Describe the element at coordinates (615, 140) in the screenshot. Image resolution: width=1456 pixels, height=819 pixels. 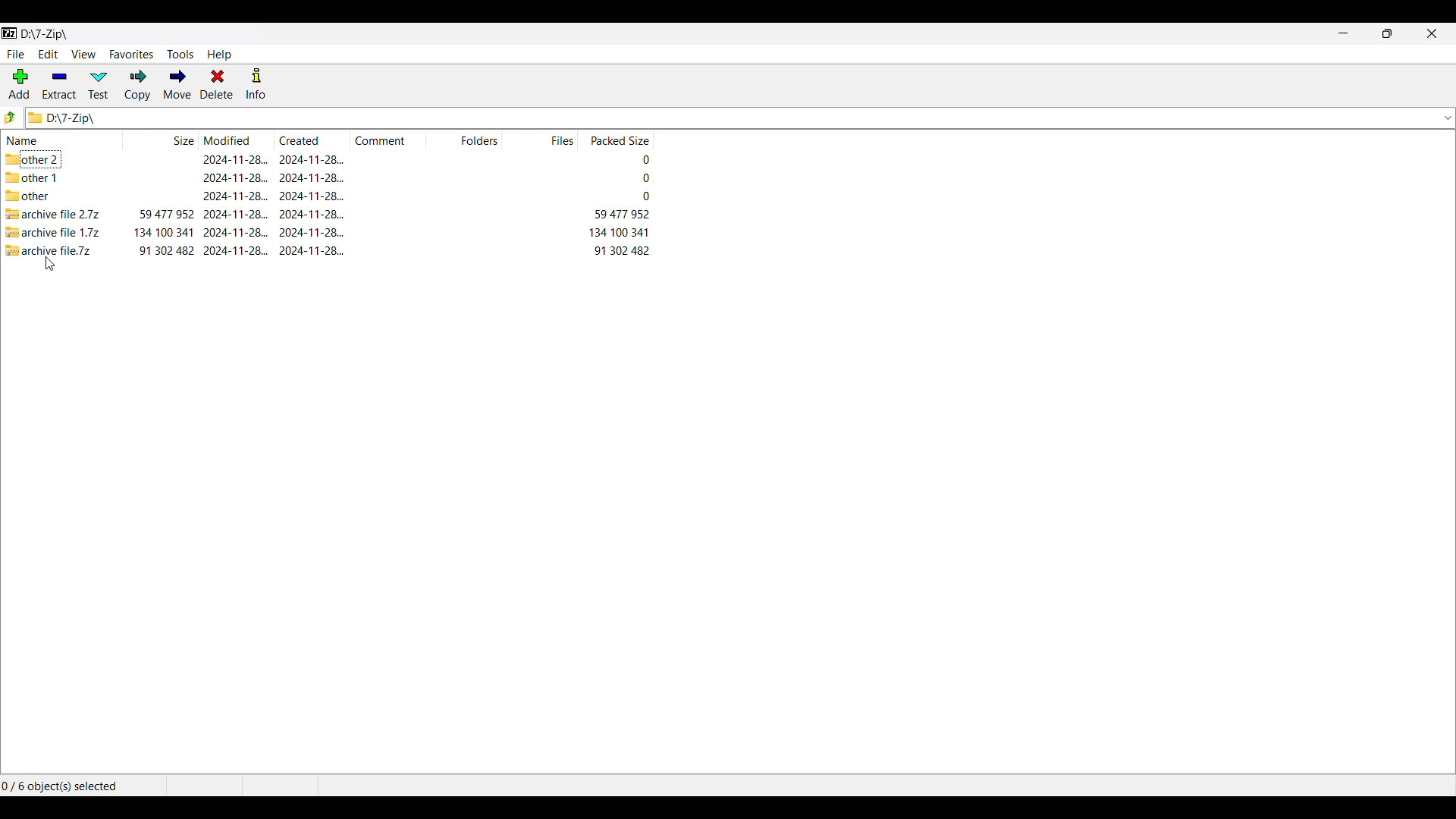
I see `Packed size column` at that location.